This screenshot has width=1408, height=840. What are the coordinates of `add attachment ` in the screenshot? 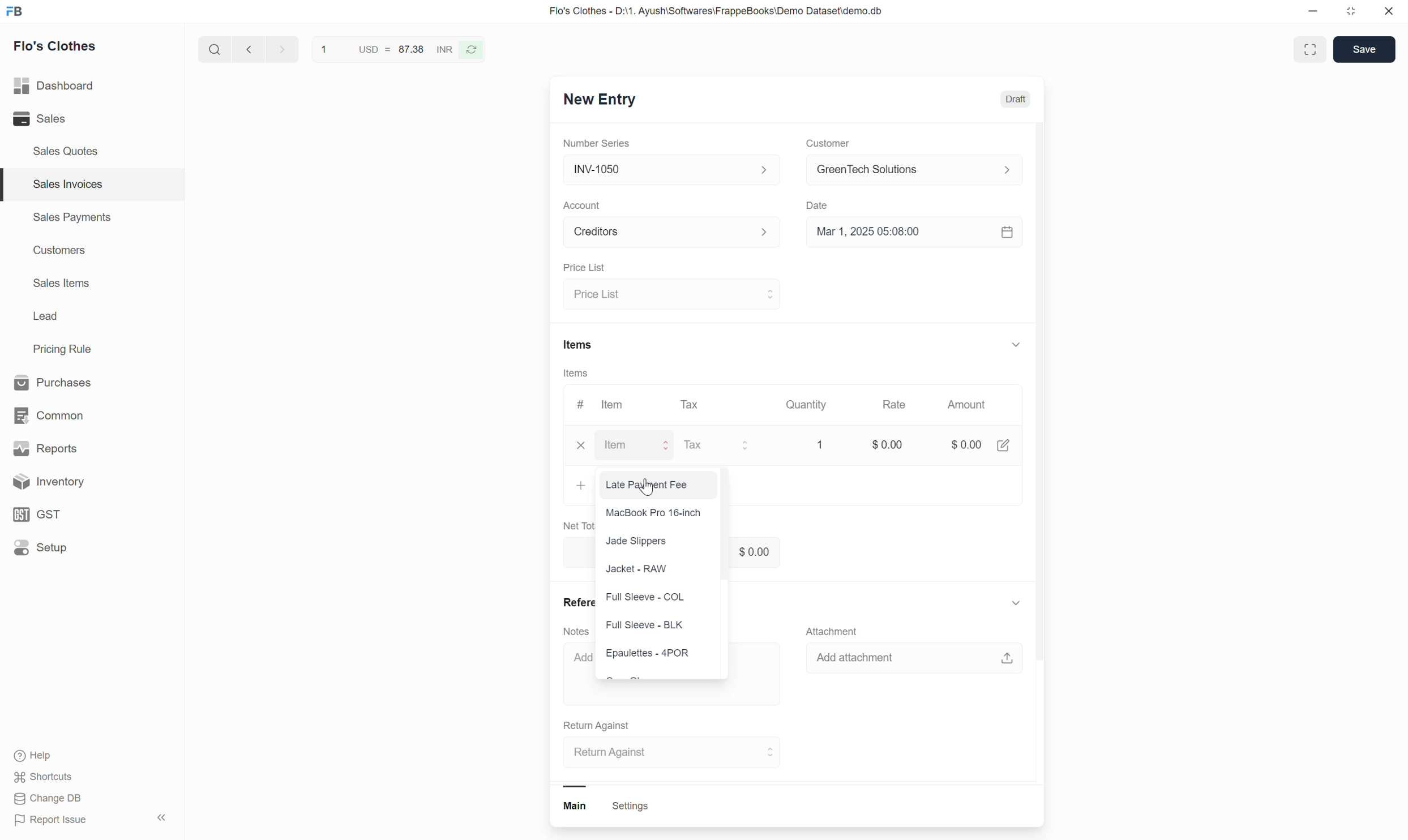 It's located at (919, 660).